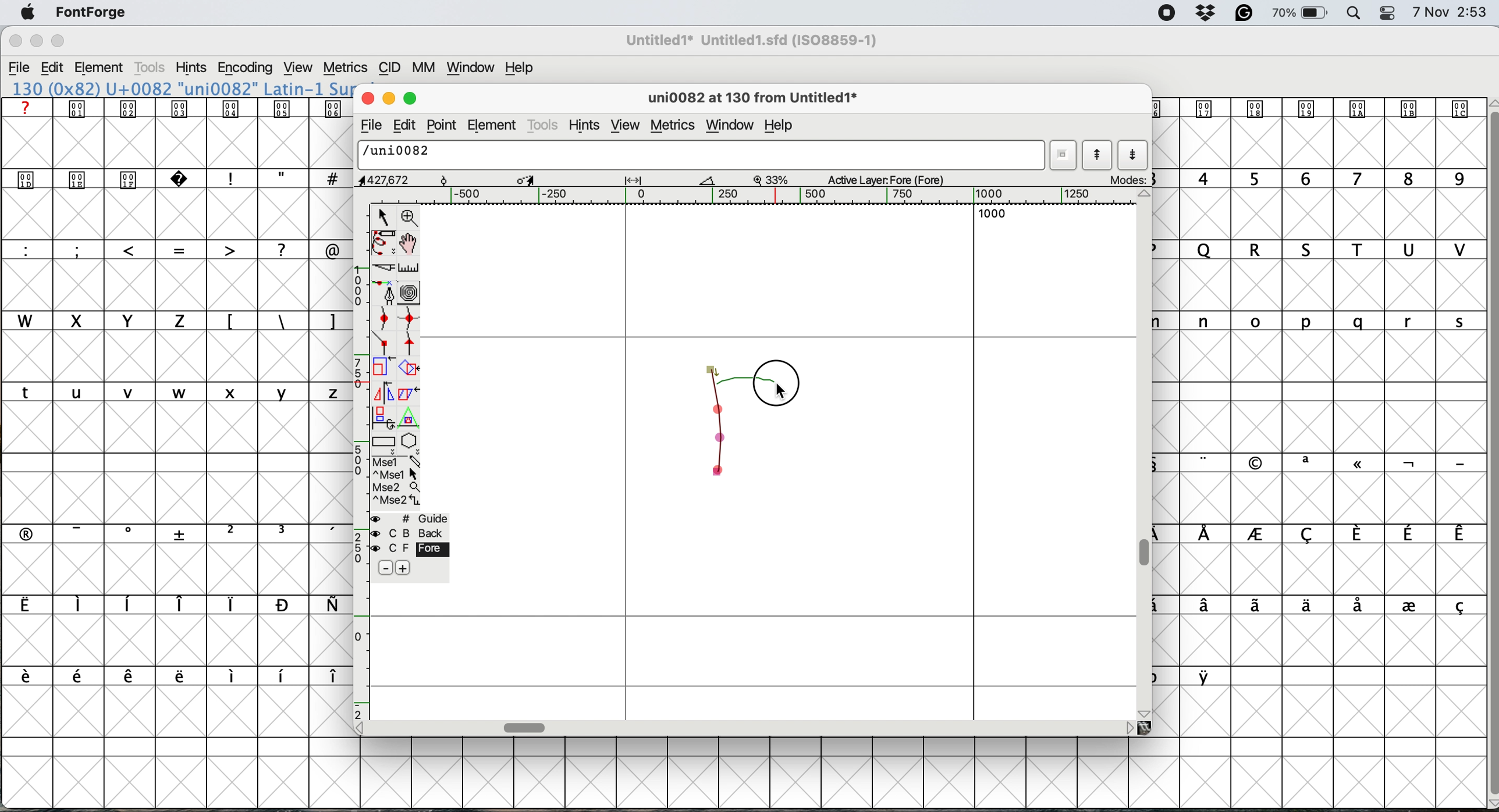  What do you see at coordinates (382, 394) in the screenshot?
I see `flip selection` at bounding box center [382, 394].